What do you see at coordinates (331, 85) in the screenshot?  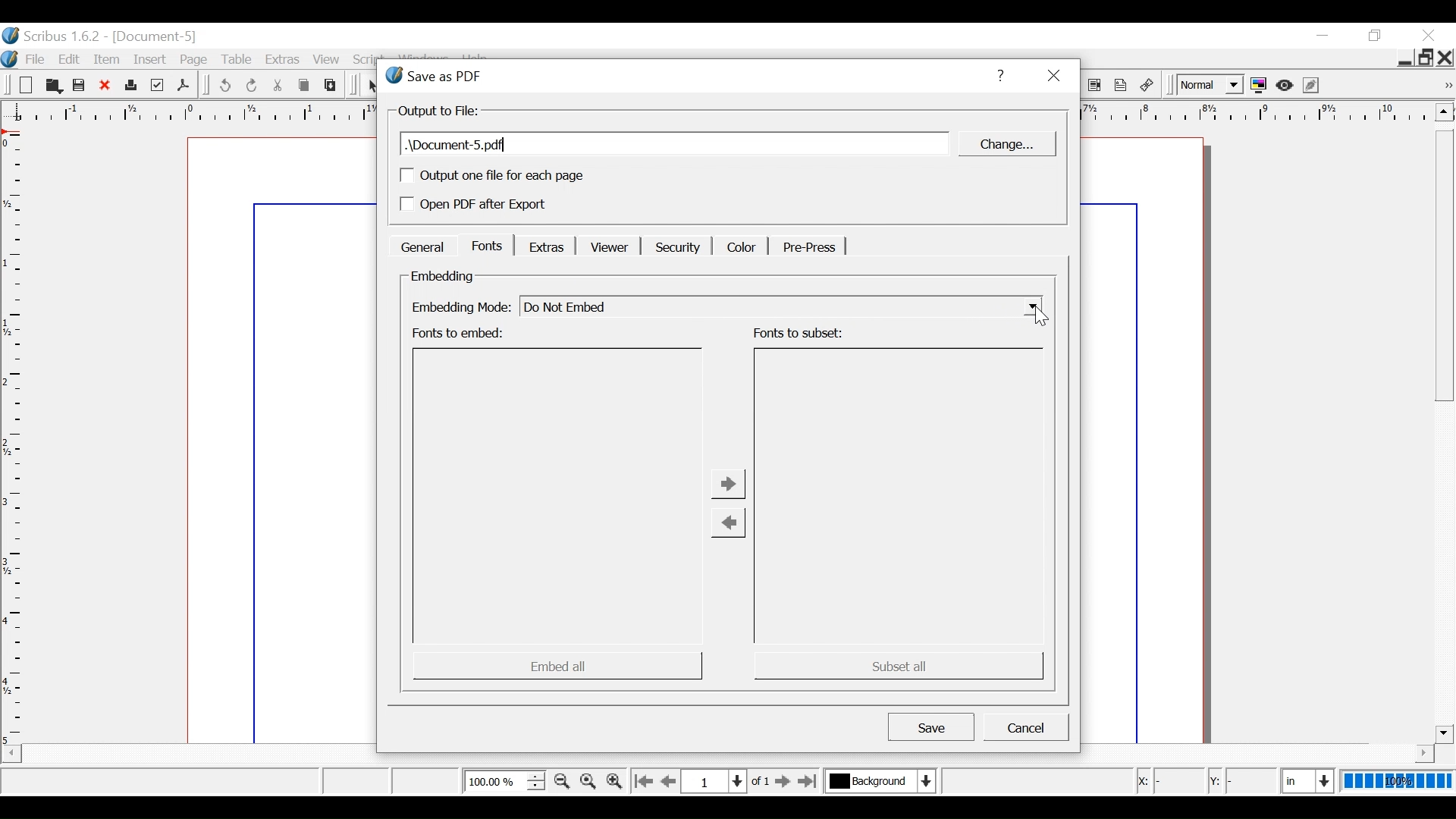 I see `Paste` at bounding box center [331, 85].